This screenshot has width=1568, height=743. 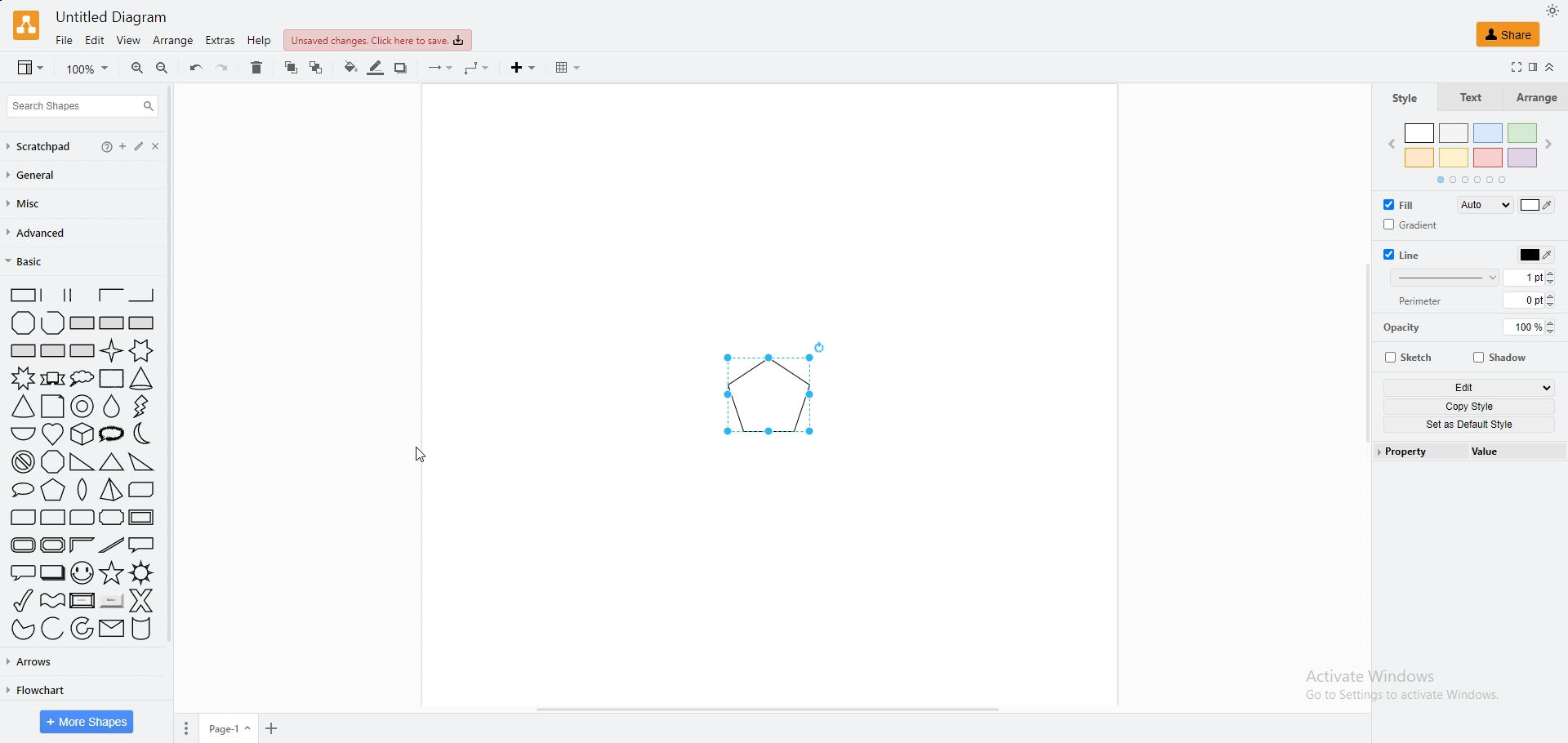 What do you see at coordinates (350, 68) in the screenshot?
I see `fill color` at bounding box center [350, 68].